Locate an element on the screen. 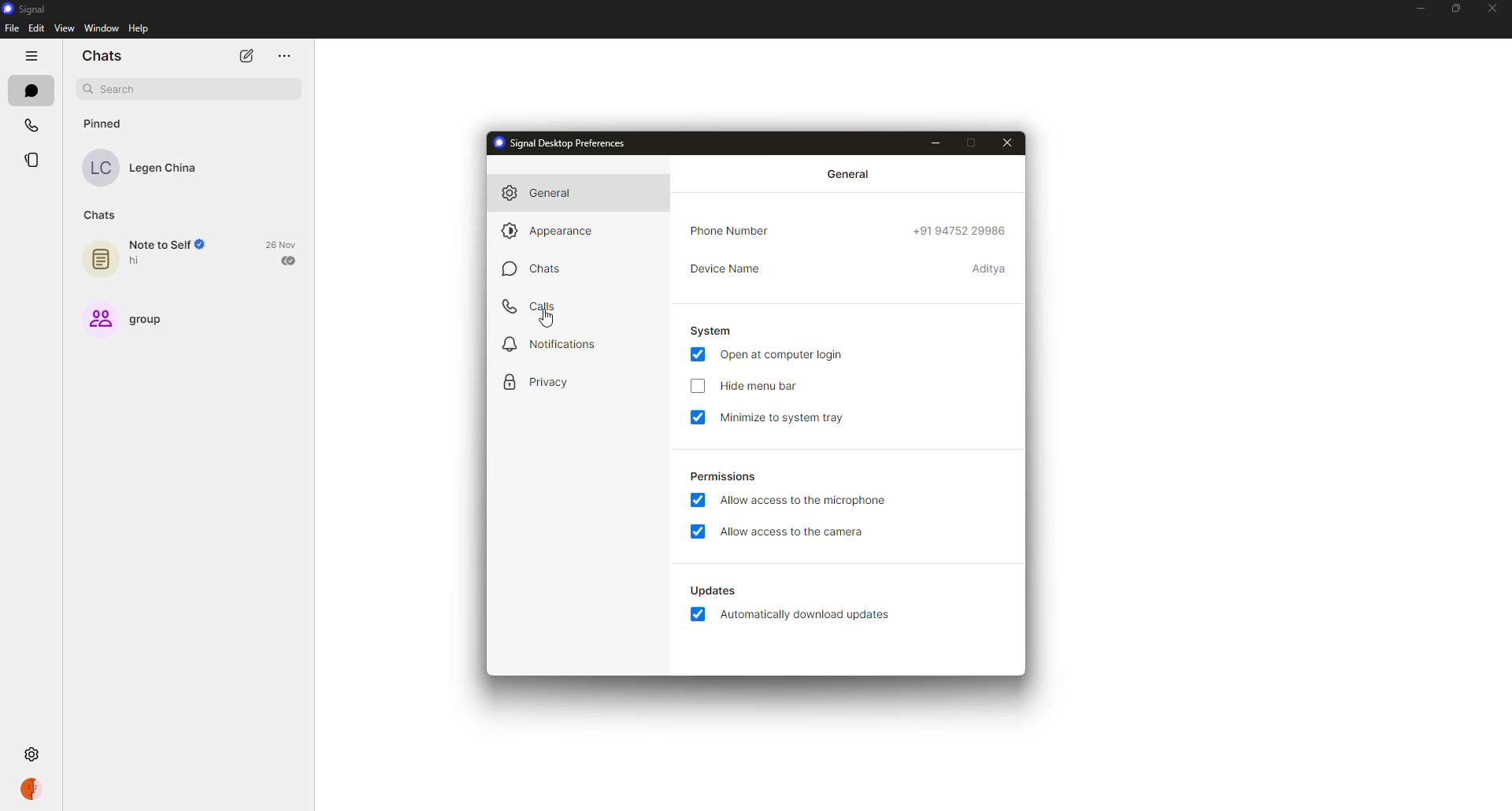  signal desktop preferences is located at coordinates (563, 143).